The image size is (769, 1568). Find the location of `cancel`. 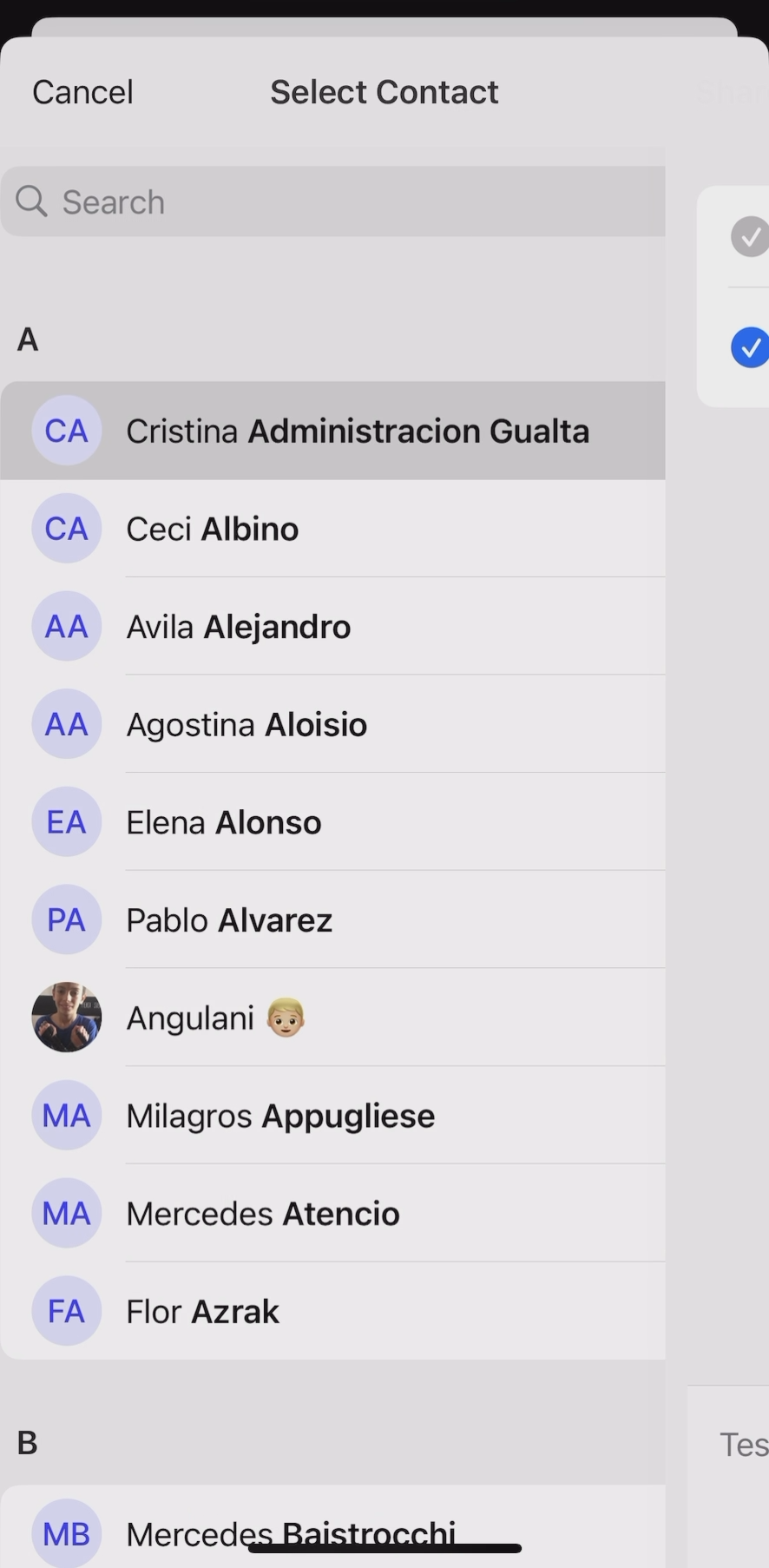

cancel is located at coordinates (79, 88).